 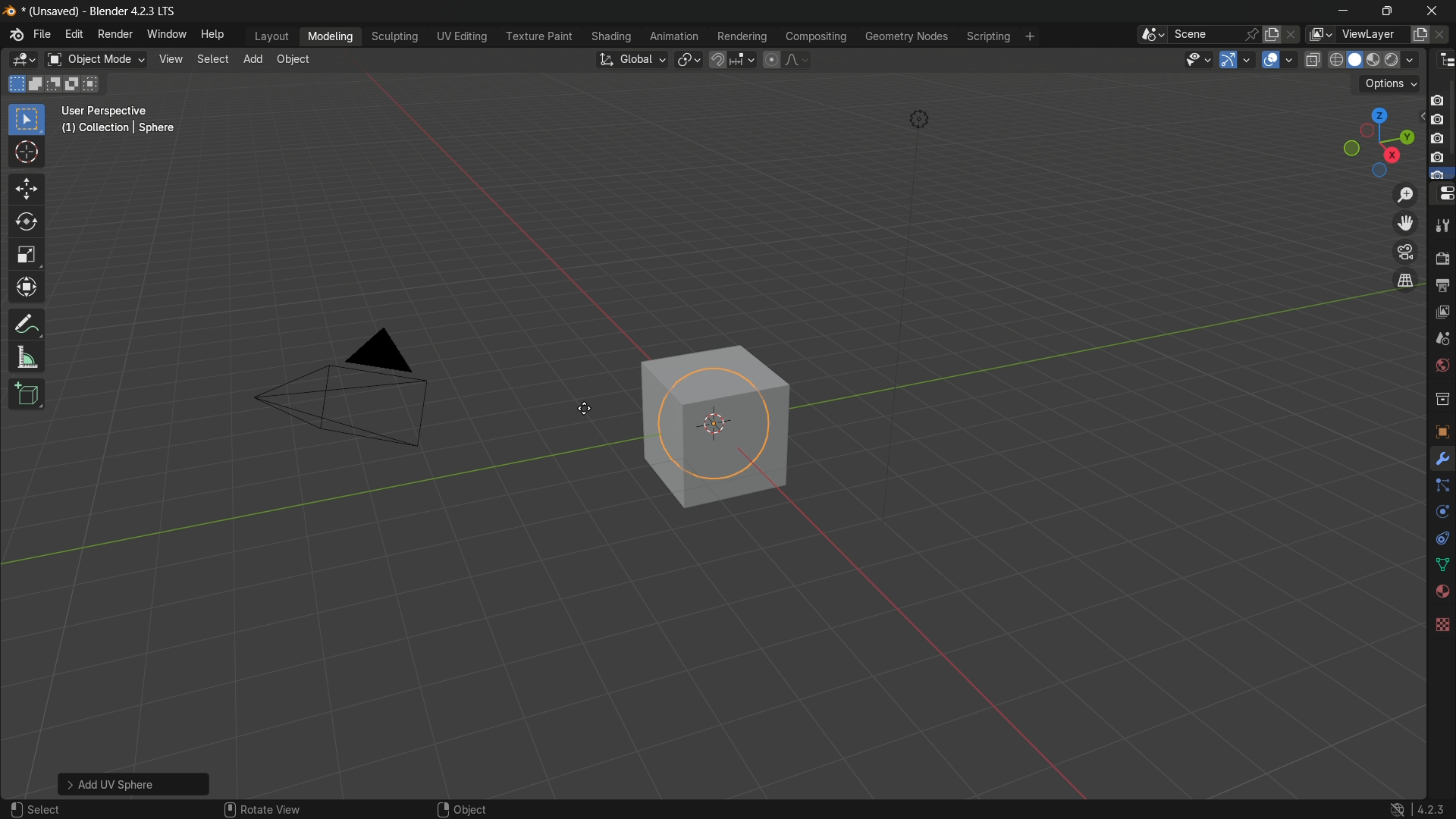 I want to click on logo, so click(x=14, y=34).